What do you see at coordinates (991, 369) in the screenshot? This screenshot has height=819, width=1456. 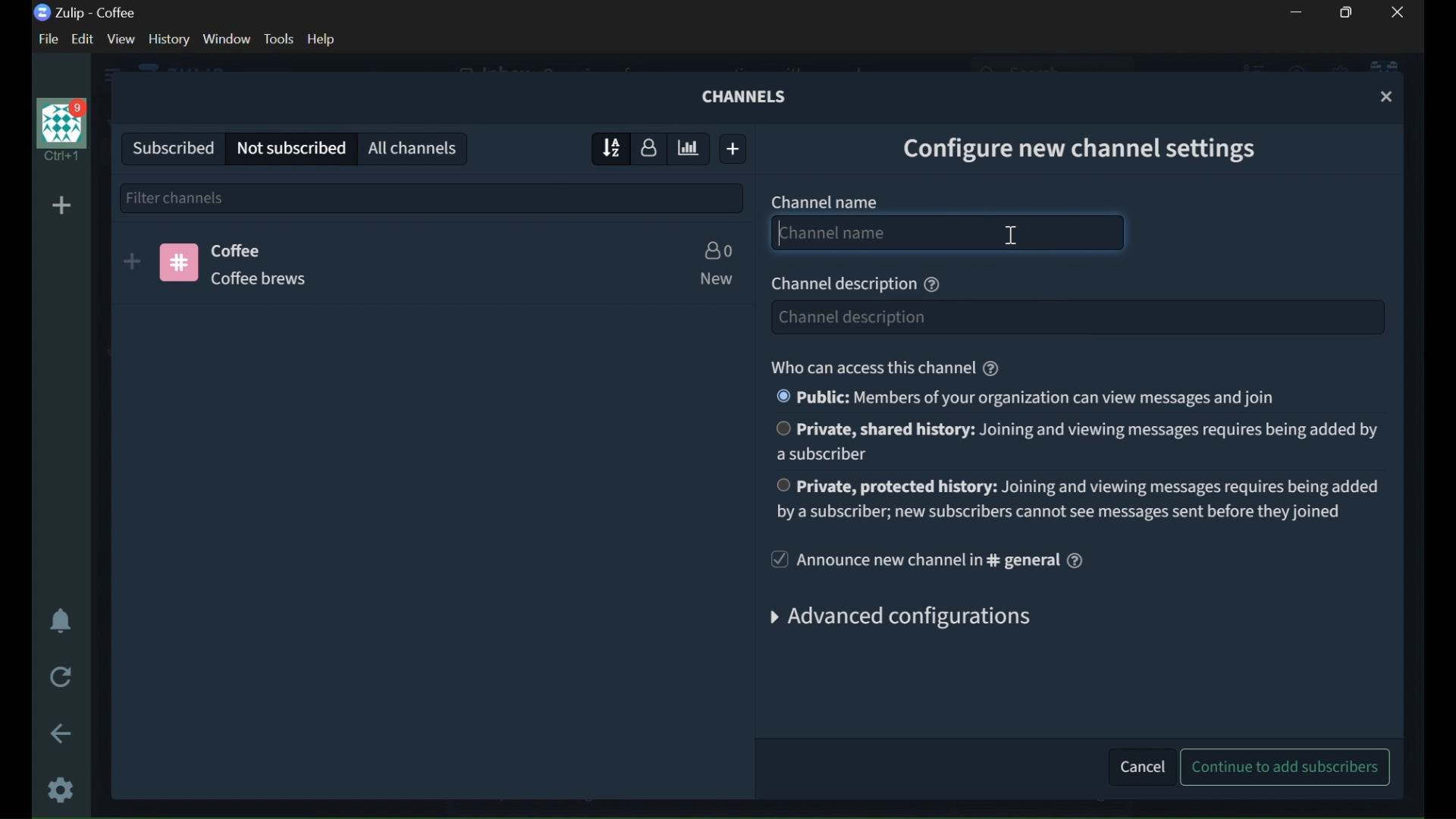 I see `help` at bounding box center [991, 369].